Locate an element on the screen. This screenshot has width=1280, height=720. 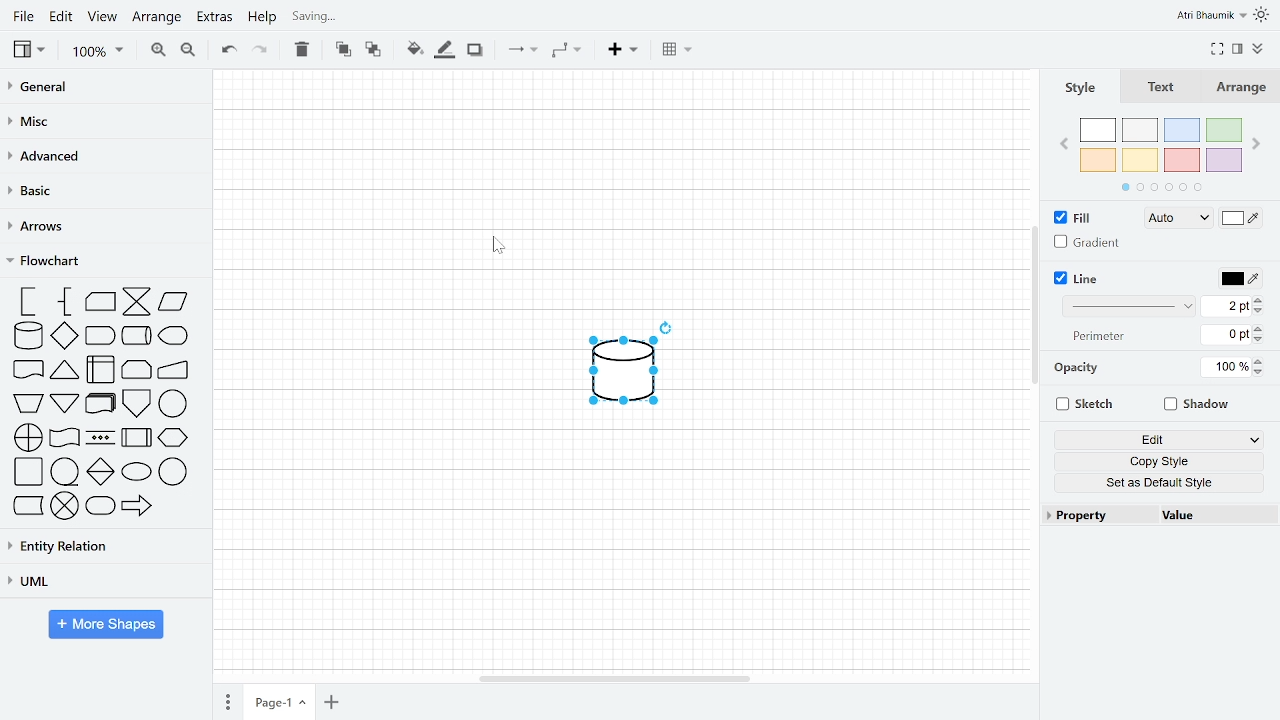
Zoom in is located at coordinates (159, 50).